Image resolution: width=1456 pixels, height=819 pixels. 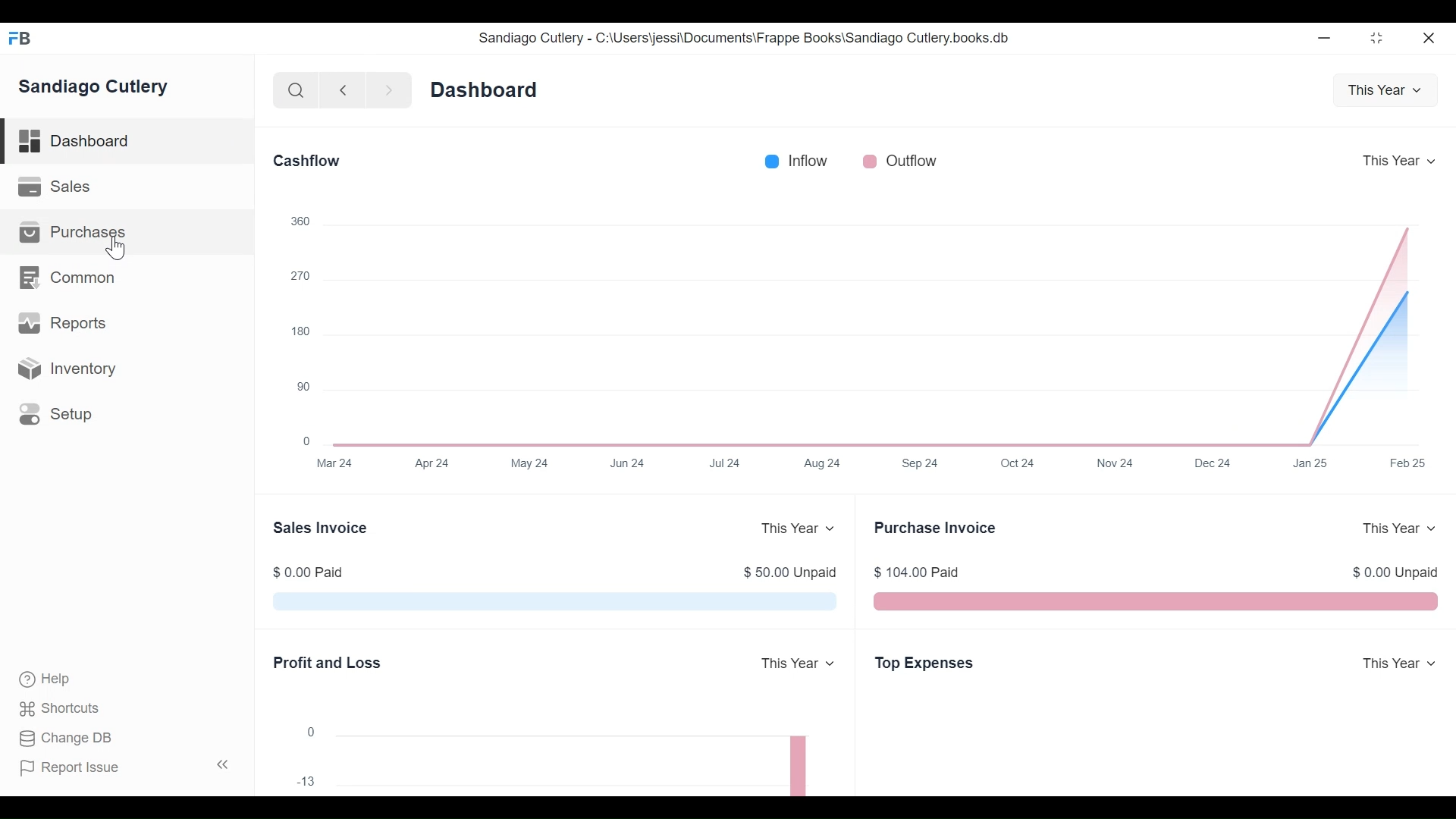 What do you see at coordinates (1375, 39) in the screenshot?
I see `restore` at bounding box center [1375, 39].